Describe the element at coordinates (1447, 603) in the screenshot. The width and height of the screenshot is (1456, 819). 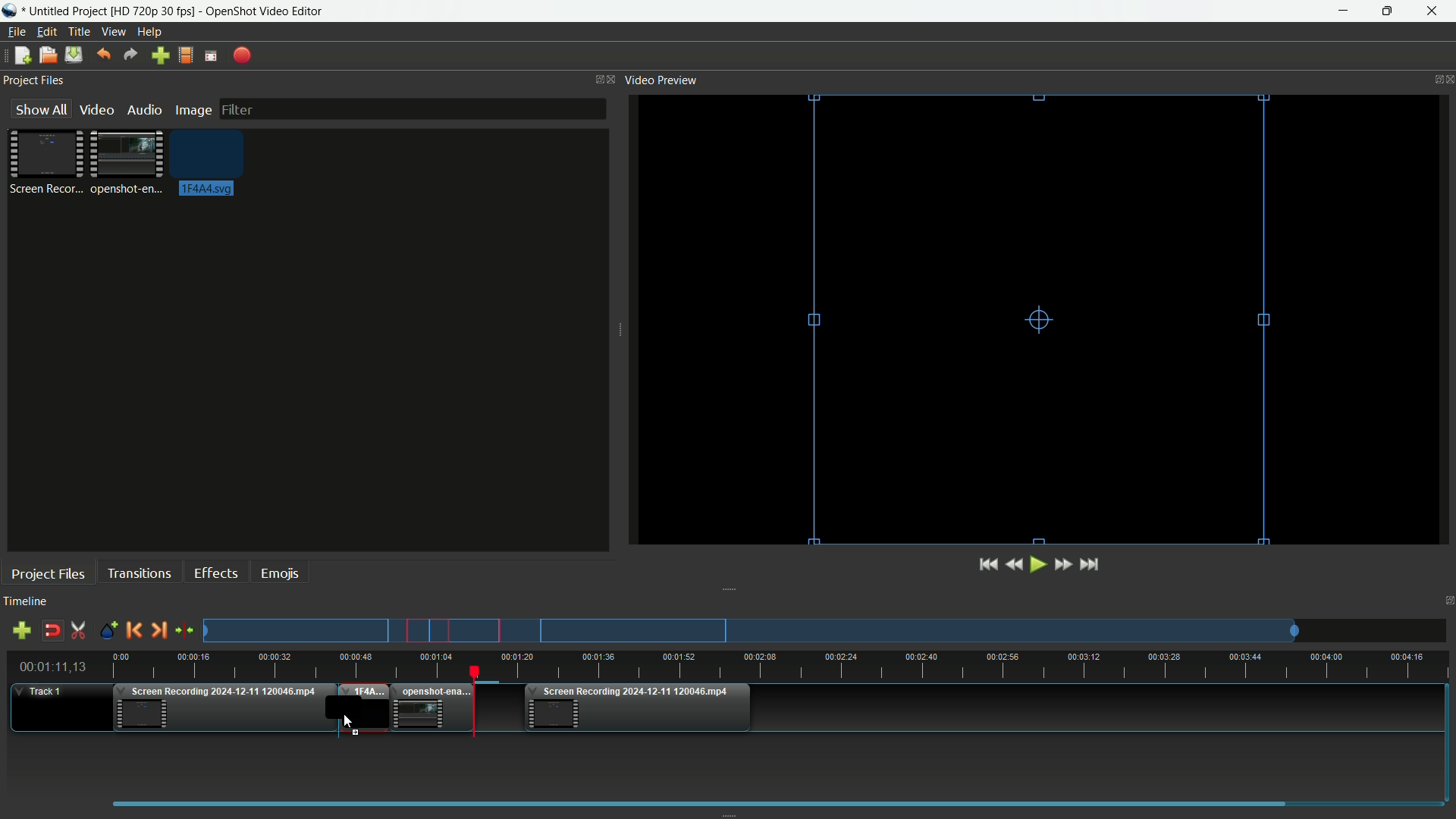
I see `Close timeline` at that location.